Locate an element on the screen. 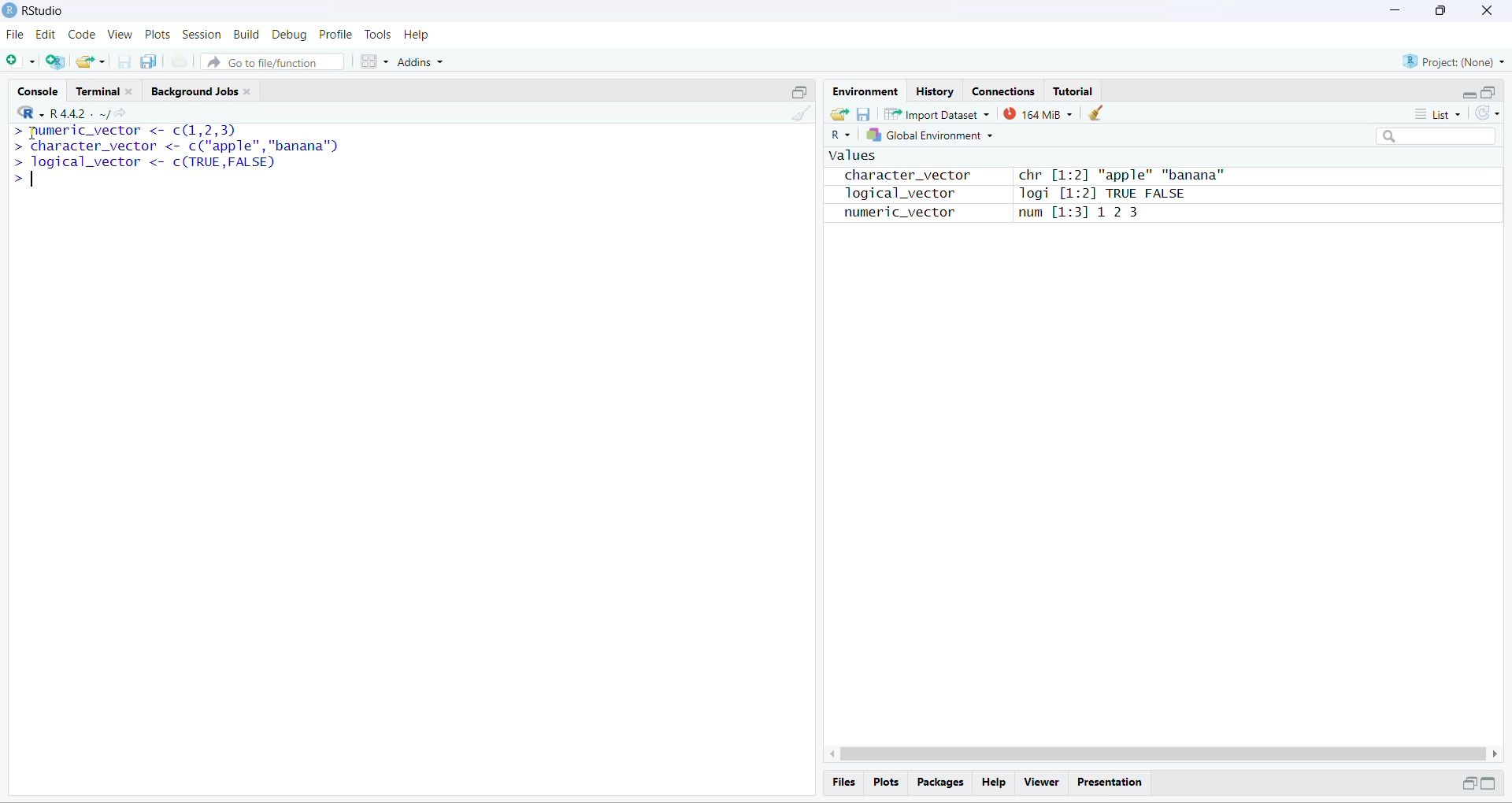 The height and width of the screenshot is (803, 1512). refresh is located at coordinates (1488, 113).